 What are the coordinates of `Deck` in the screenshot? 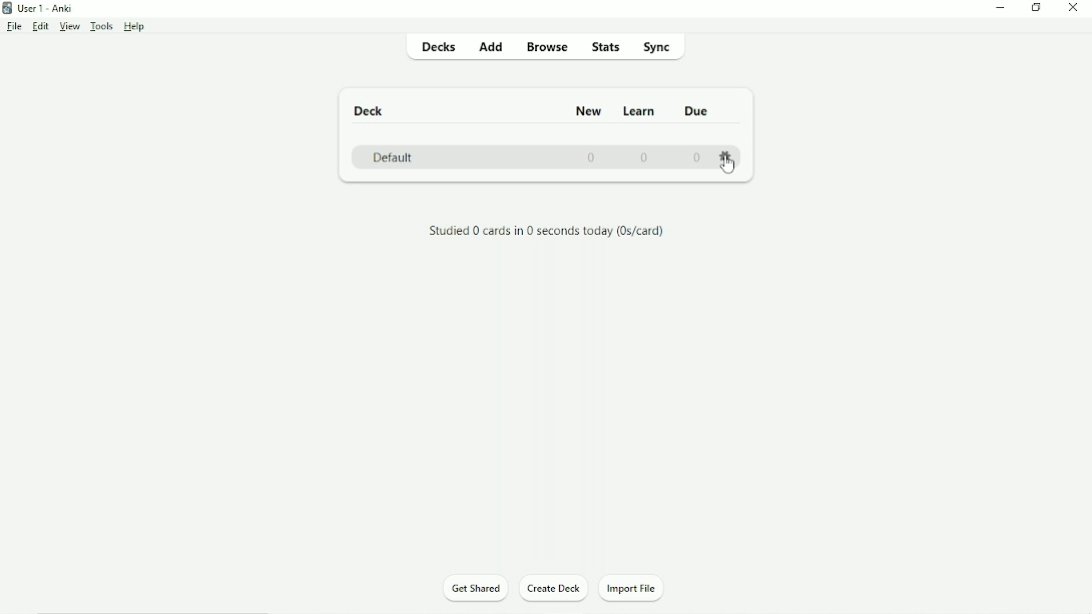 It's located at (372, 110).